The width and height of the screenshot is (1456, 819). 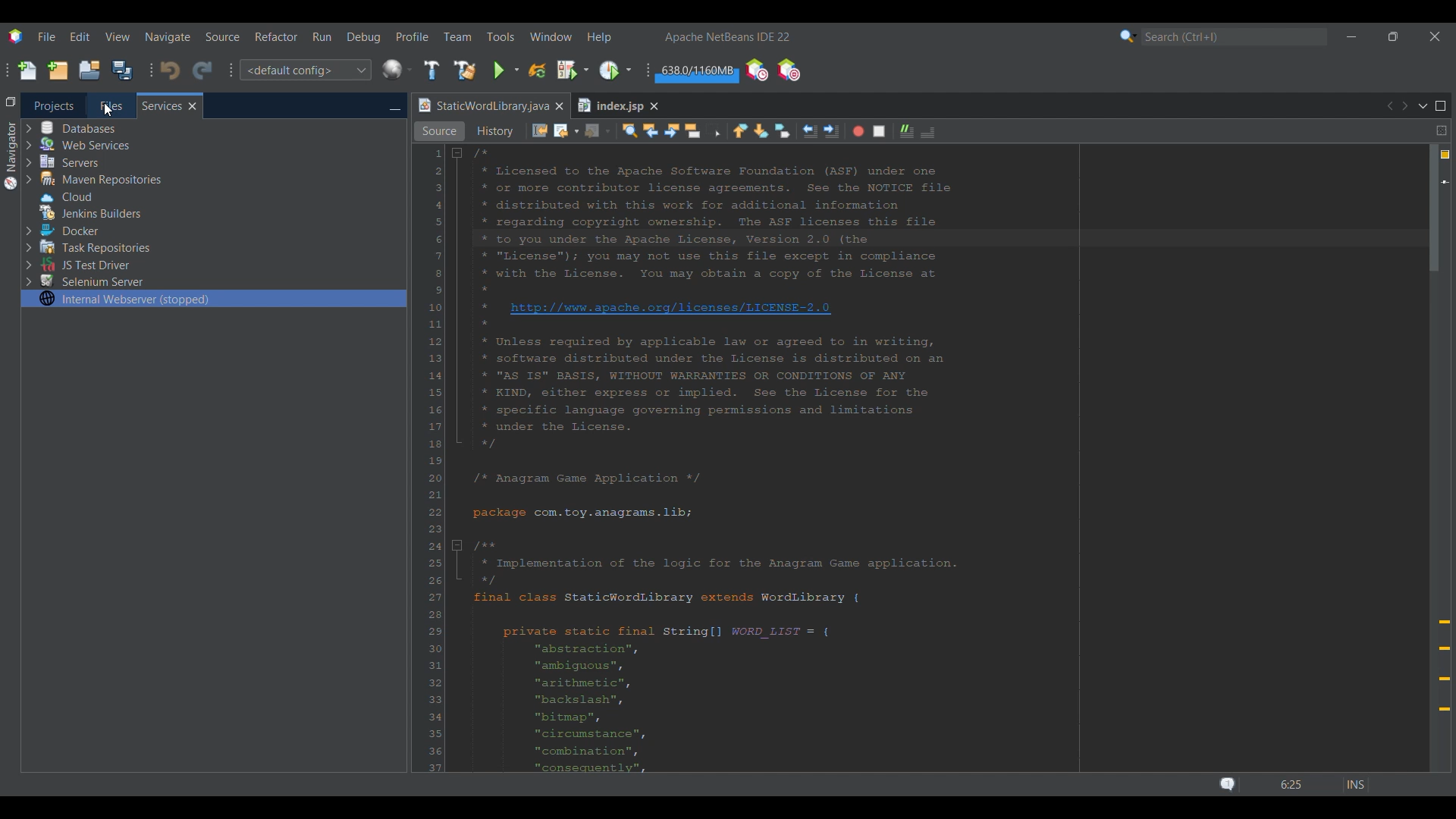 What do you see at coordinates (1436, 36) in the screenshot?
I see `Close interface` at bounding box center [1436, 36].